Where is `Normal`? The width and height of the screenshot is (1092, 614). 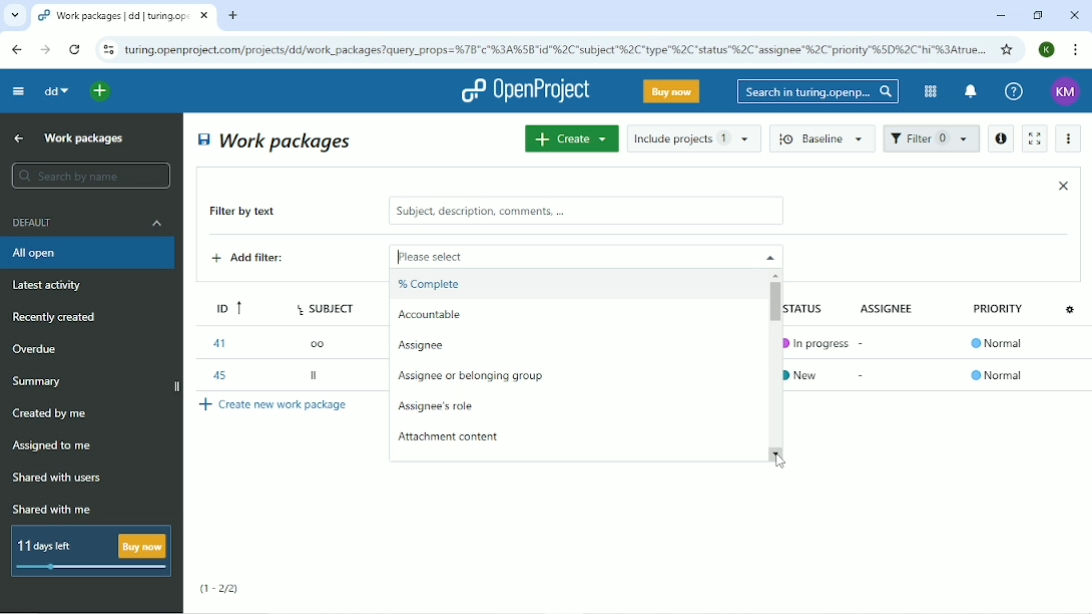
Normal is located at coordinates (1000, 345).